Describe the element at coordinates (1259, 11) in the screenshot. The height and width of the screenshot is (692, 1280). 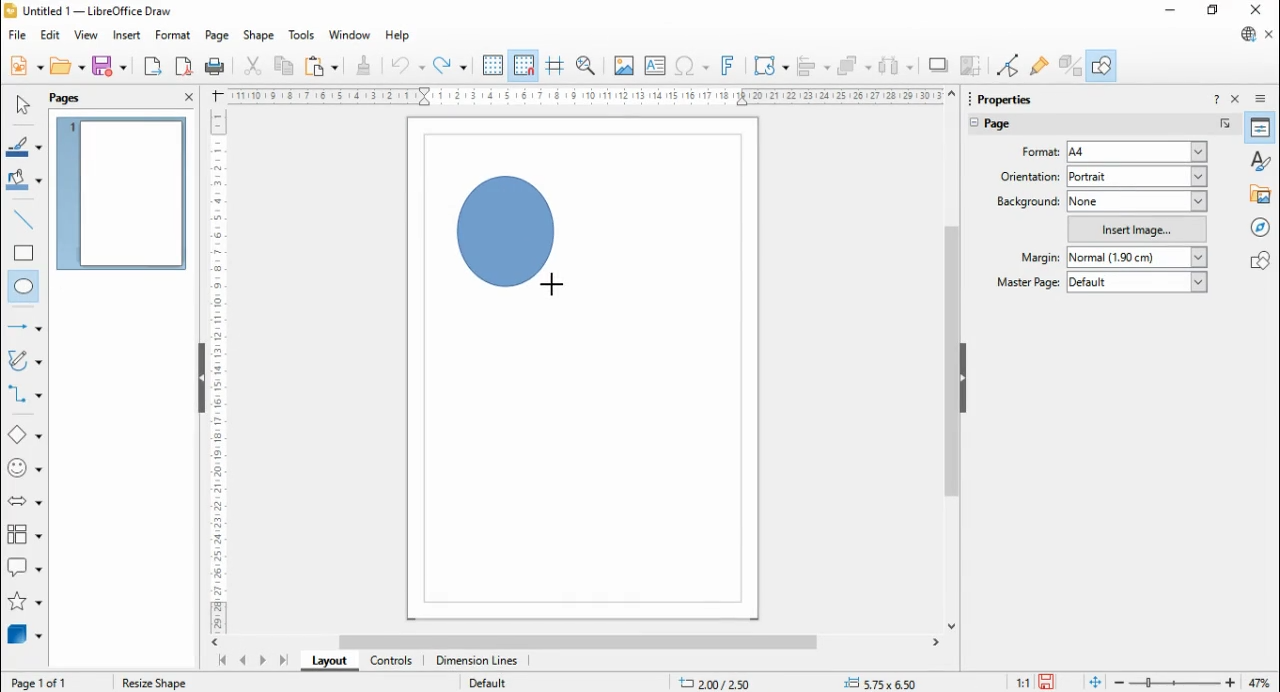
I see `close windo` at that location.